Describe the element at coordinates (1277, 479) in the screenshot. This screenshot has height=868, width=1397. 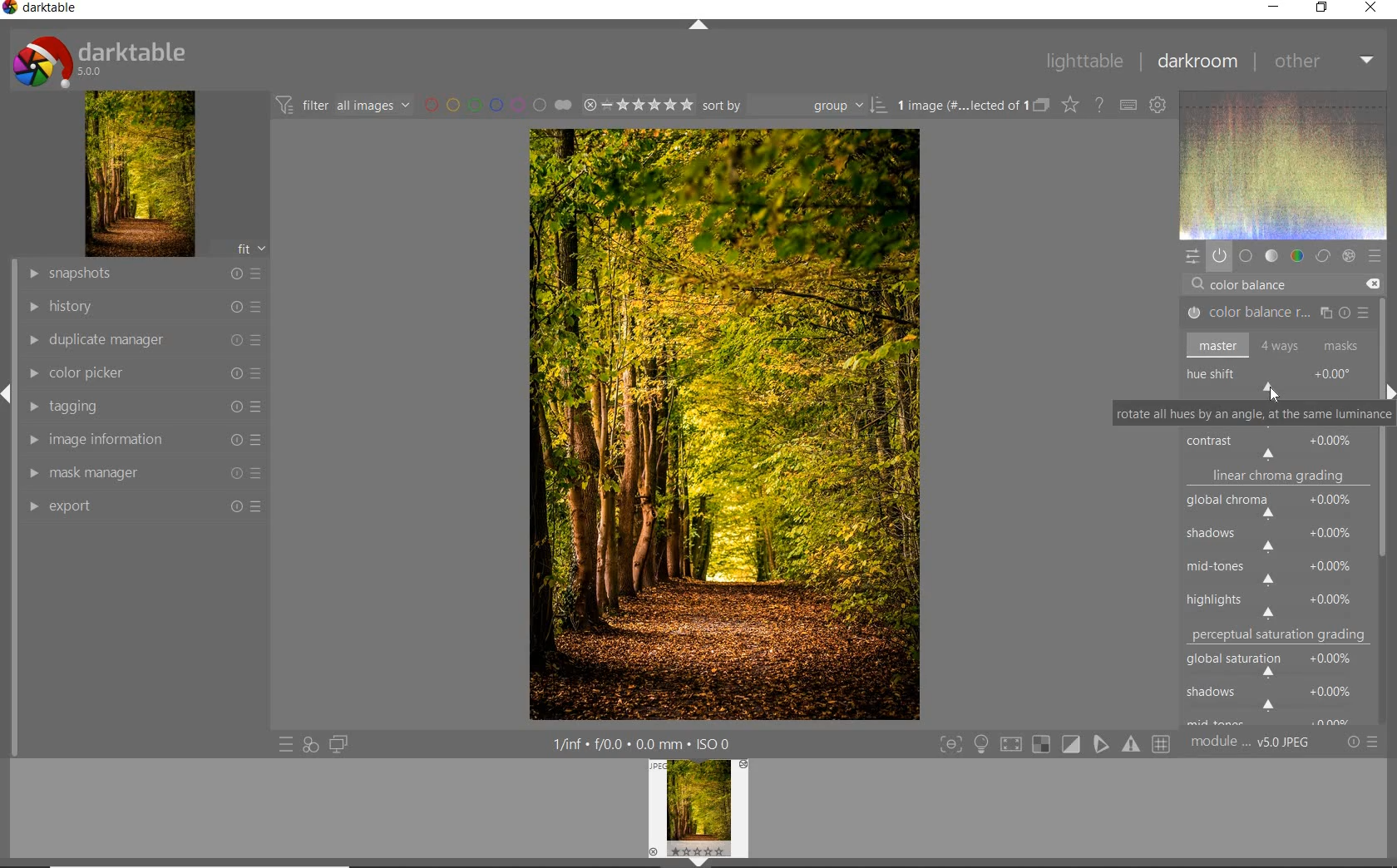
I see `linear chroma grading` at that location.